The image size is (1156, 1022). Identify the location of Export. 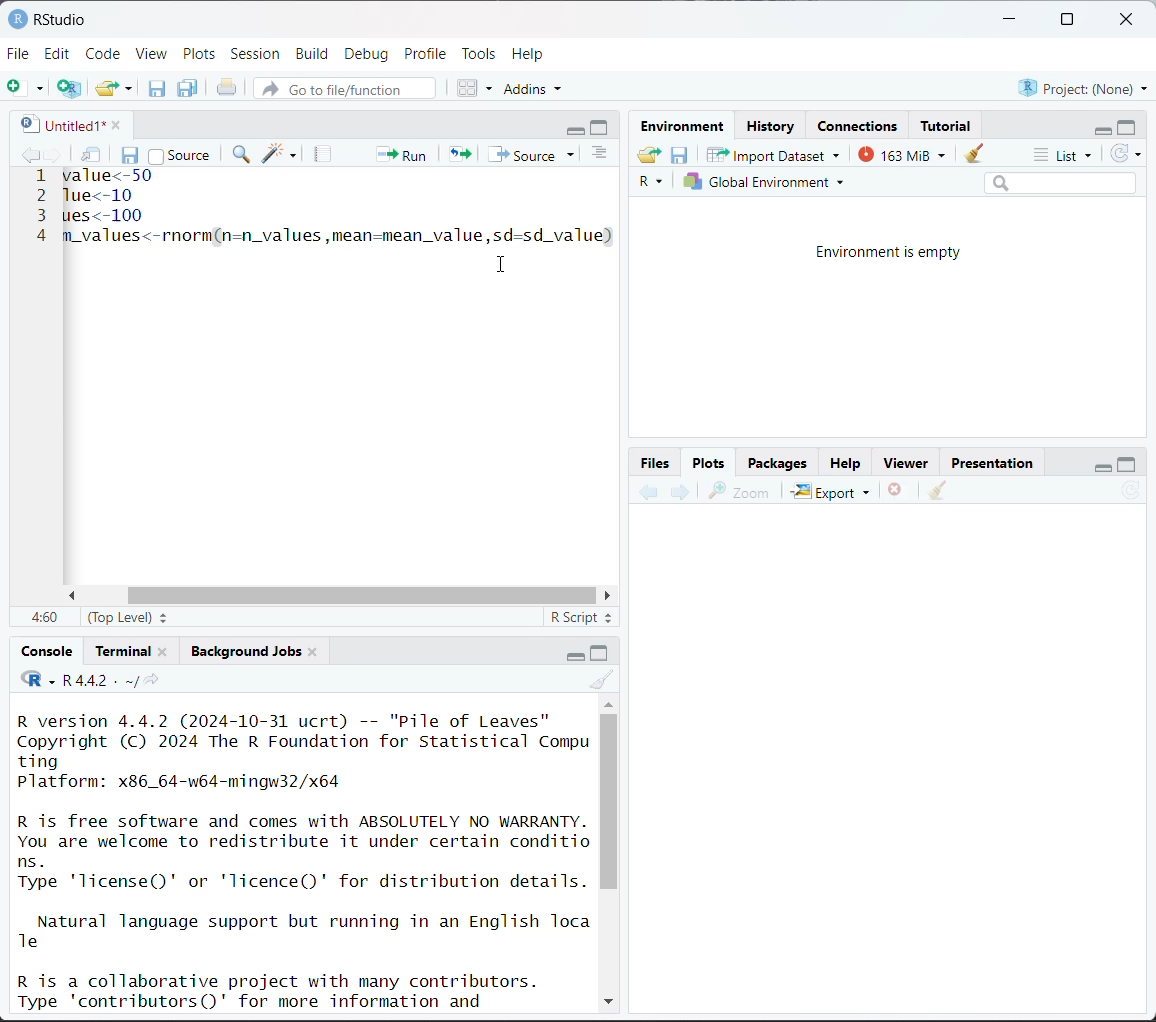
(832, 491).